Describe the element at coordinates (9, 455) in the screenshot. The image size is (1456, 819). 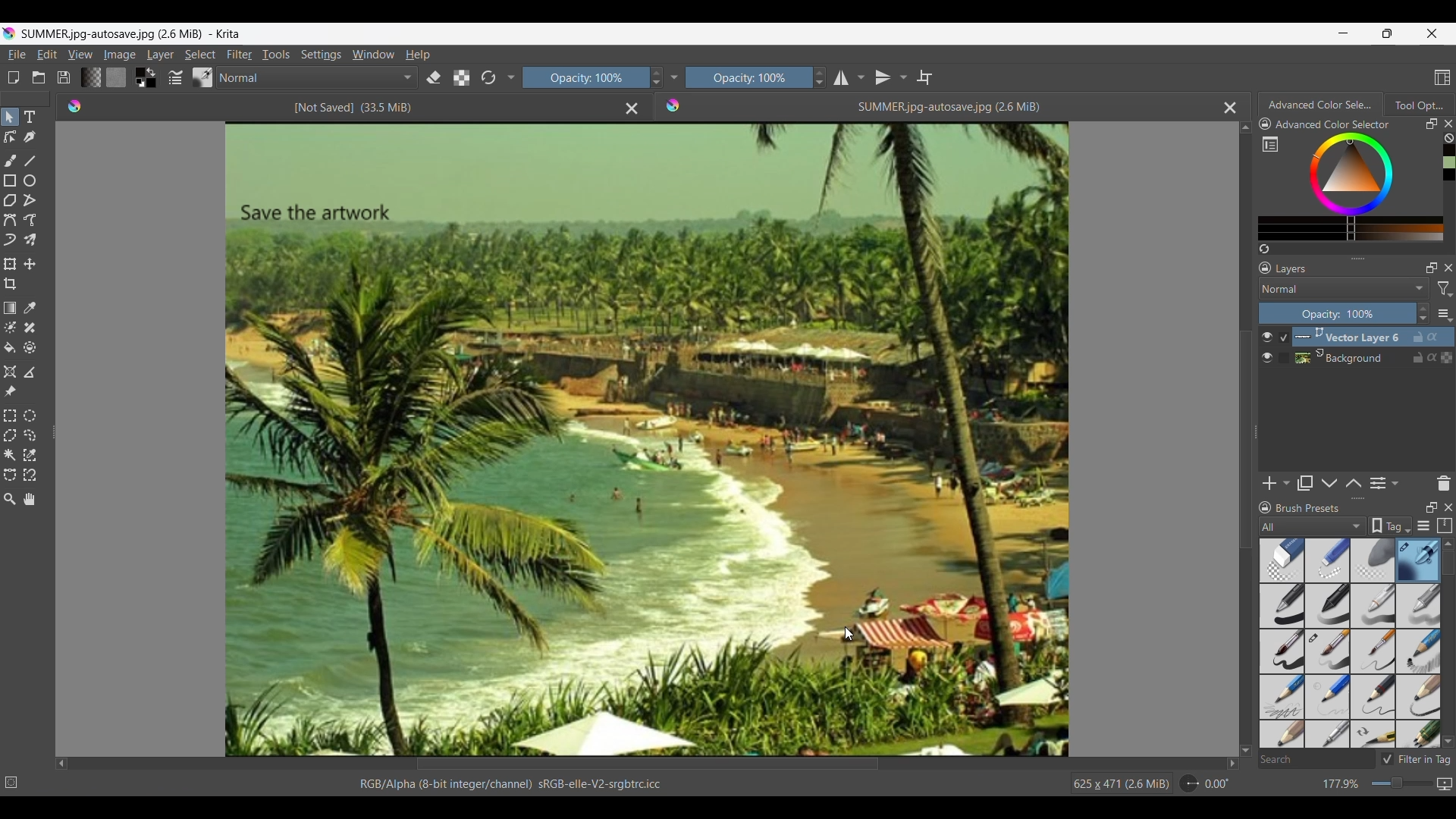
I see `Contiguous selection tool ` at that location.